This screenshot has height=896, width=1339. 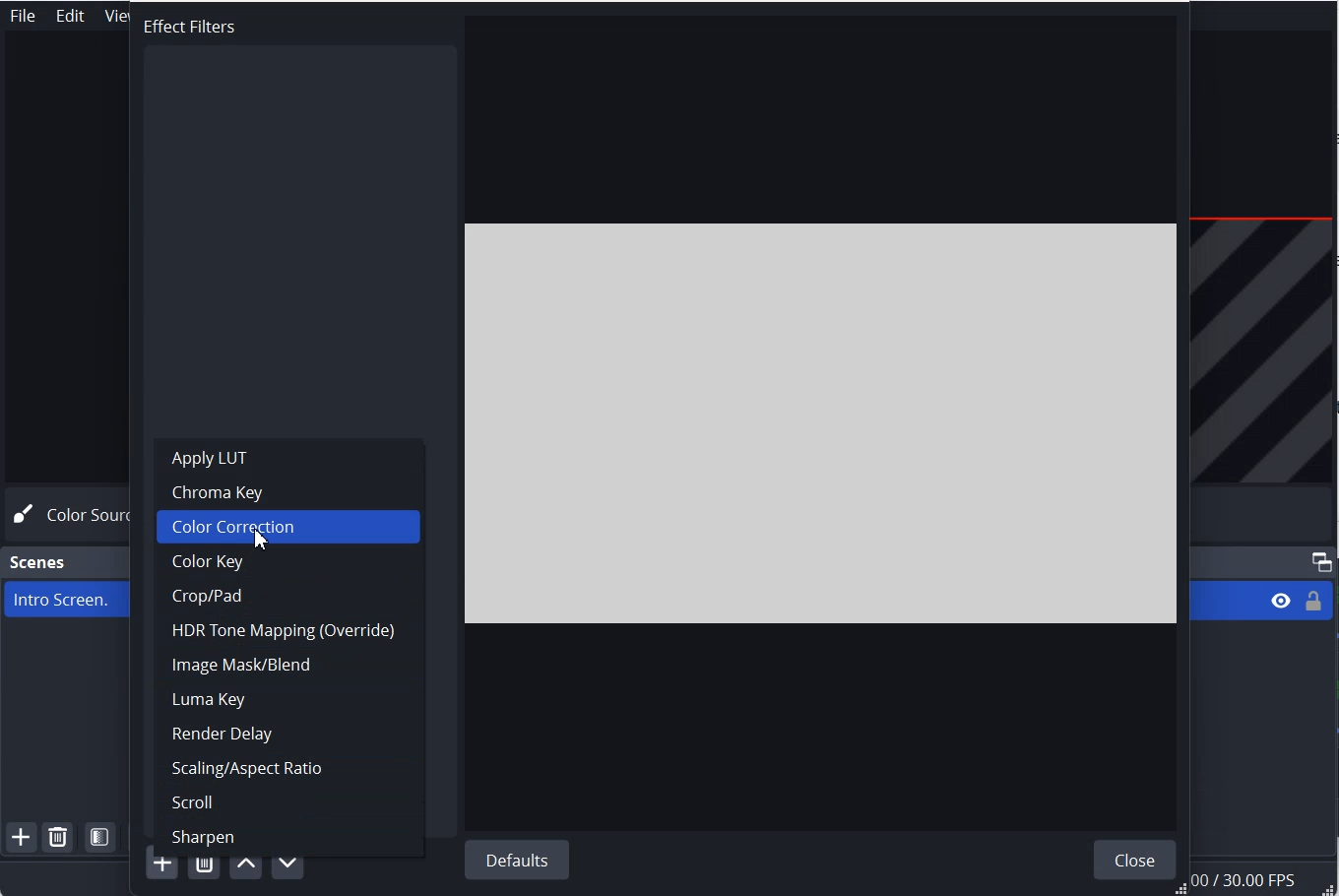 I want to click on Lock, so click(x=1313, y=601).